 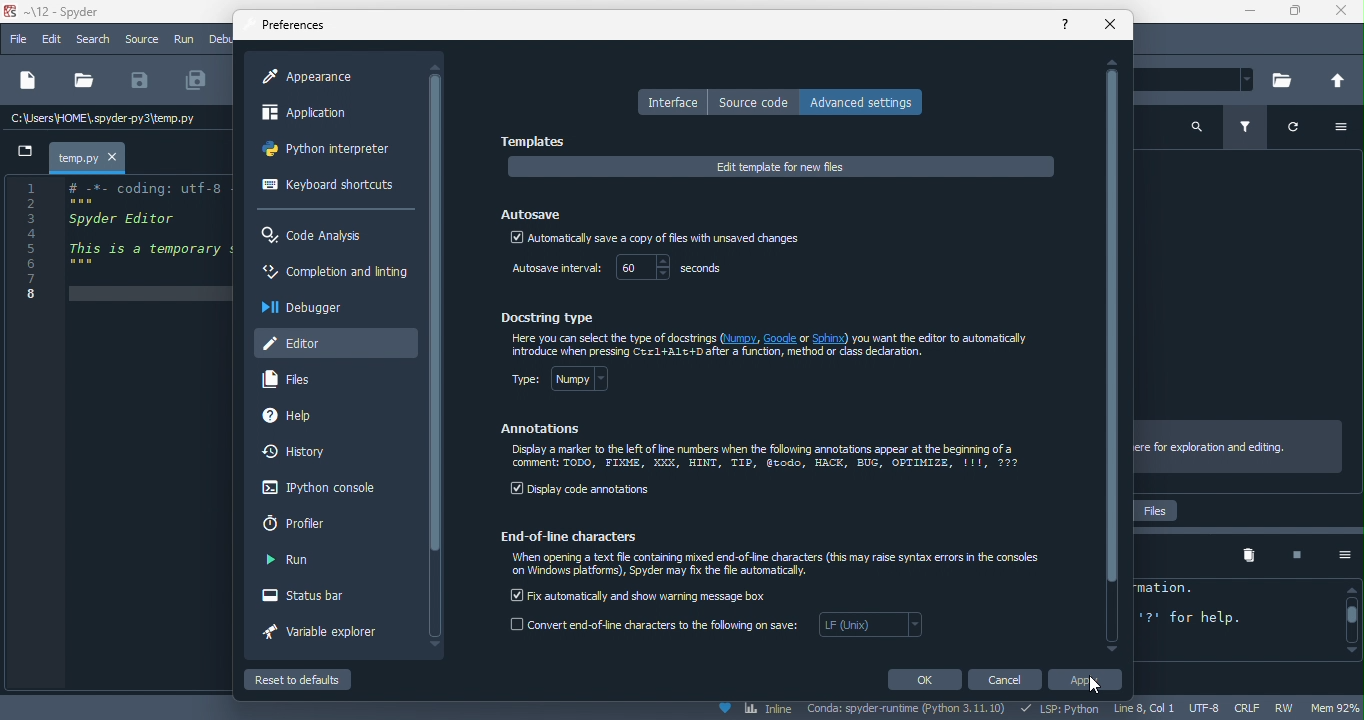 What do you see at coordinates (1066, 23) in the screenshot?
I see `help` at bounding box center [1066, 23].